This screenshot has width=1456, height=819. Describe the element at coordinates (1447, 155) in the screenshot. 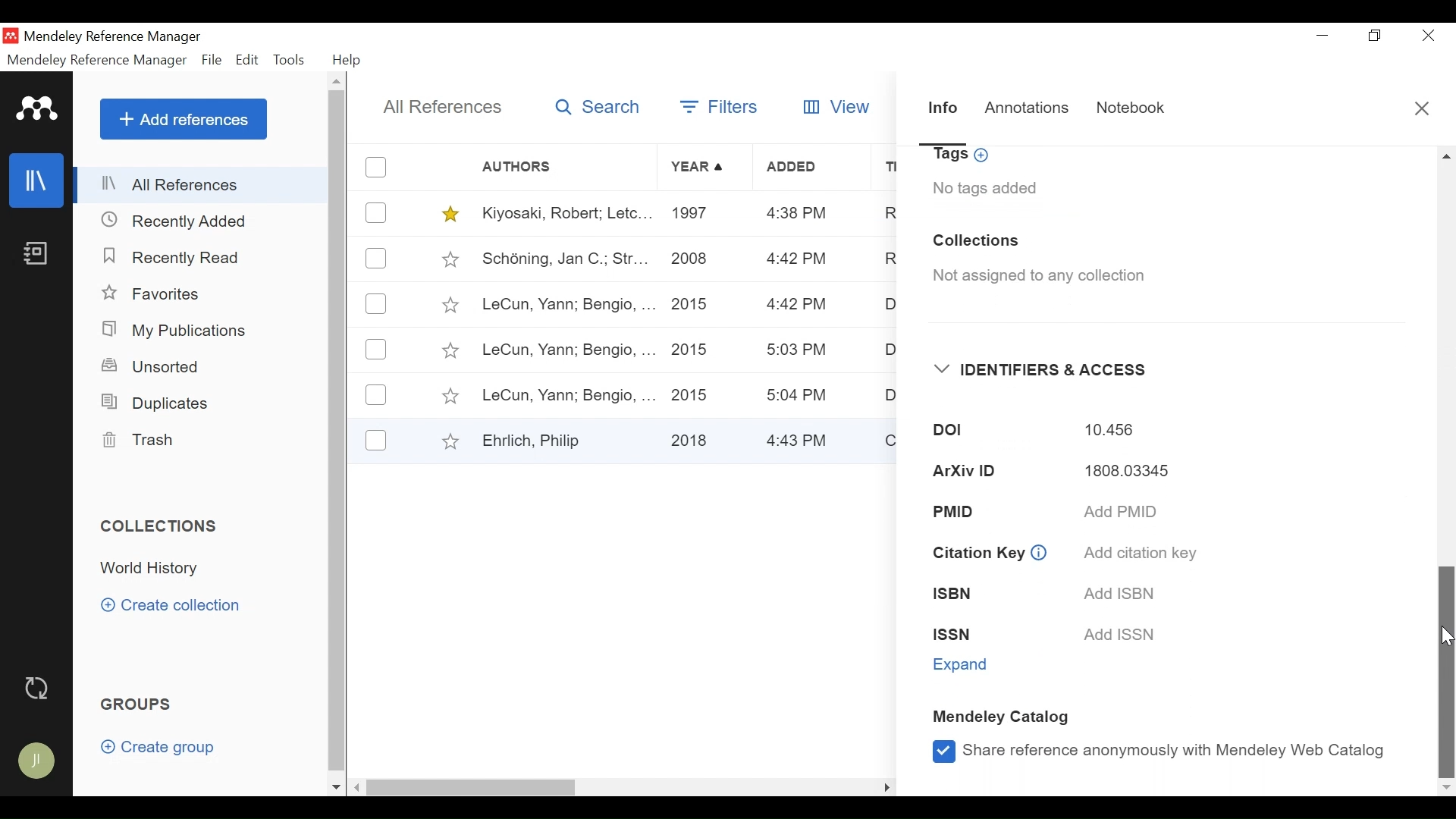

I see `Scroll up` at that location.